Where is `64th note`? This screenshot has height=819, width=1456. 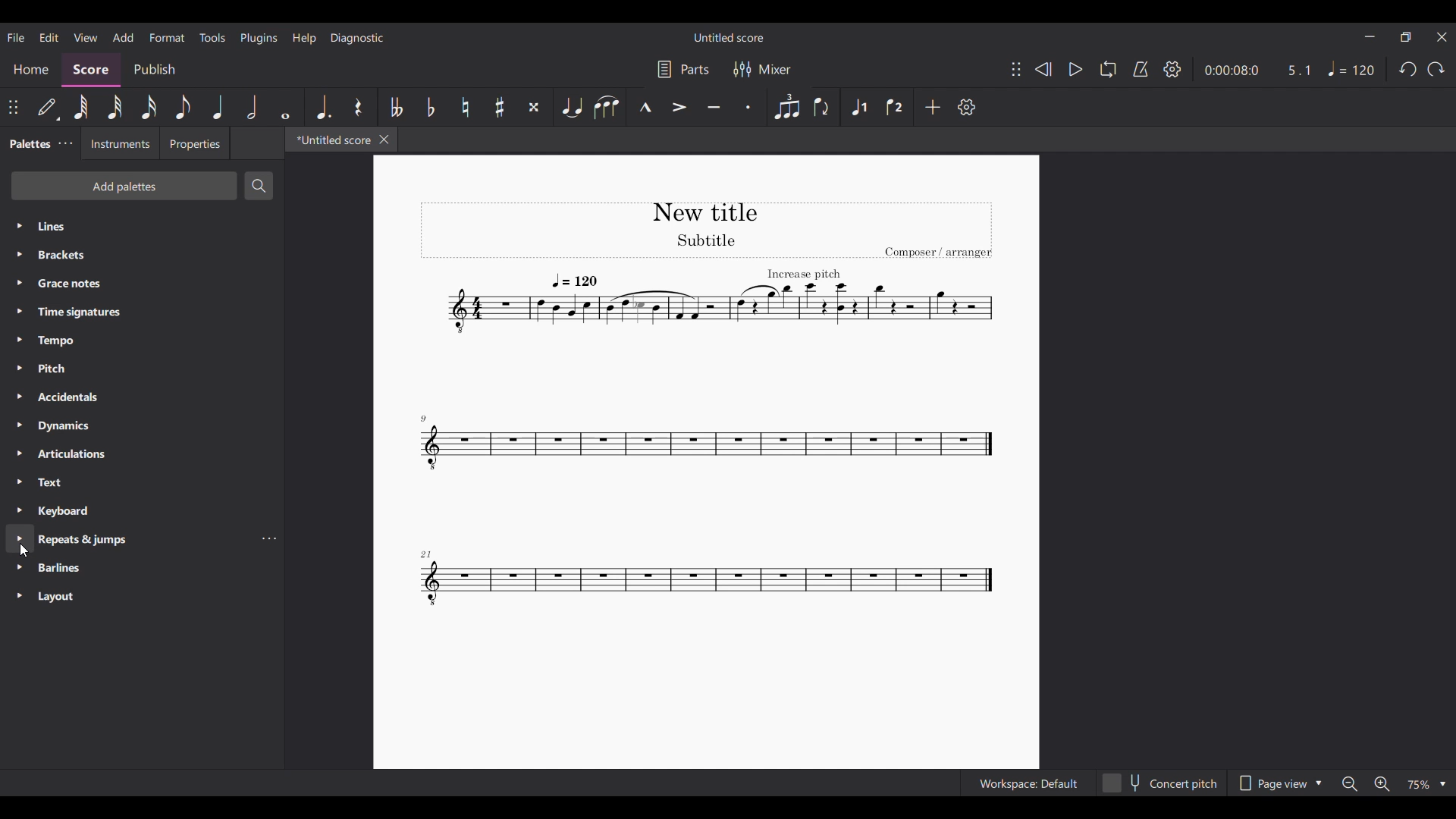
64th note is located at coordinates (80, 108).